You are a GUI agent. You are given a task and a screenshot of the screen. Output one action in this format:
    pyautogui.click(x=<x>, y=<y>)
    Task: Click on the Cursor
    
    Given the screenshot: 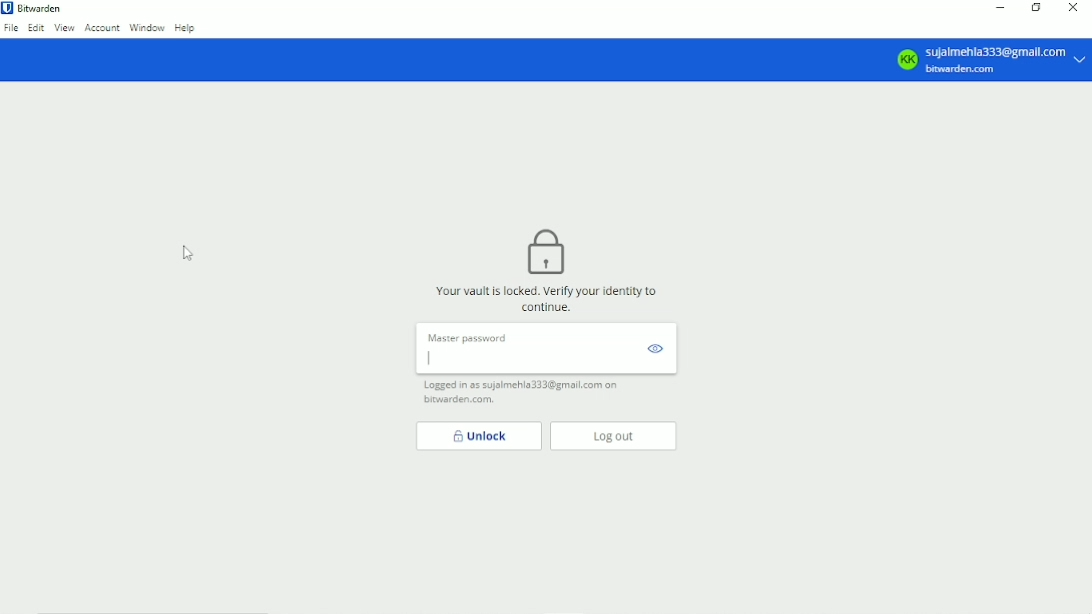 What is the action you would take?
    pyautogui.click(x=189, y=256)
    